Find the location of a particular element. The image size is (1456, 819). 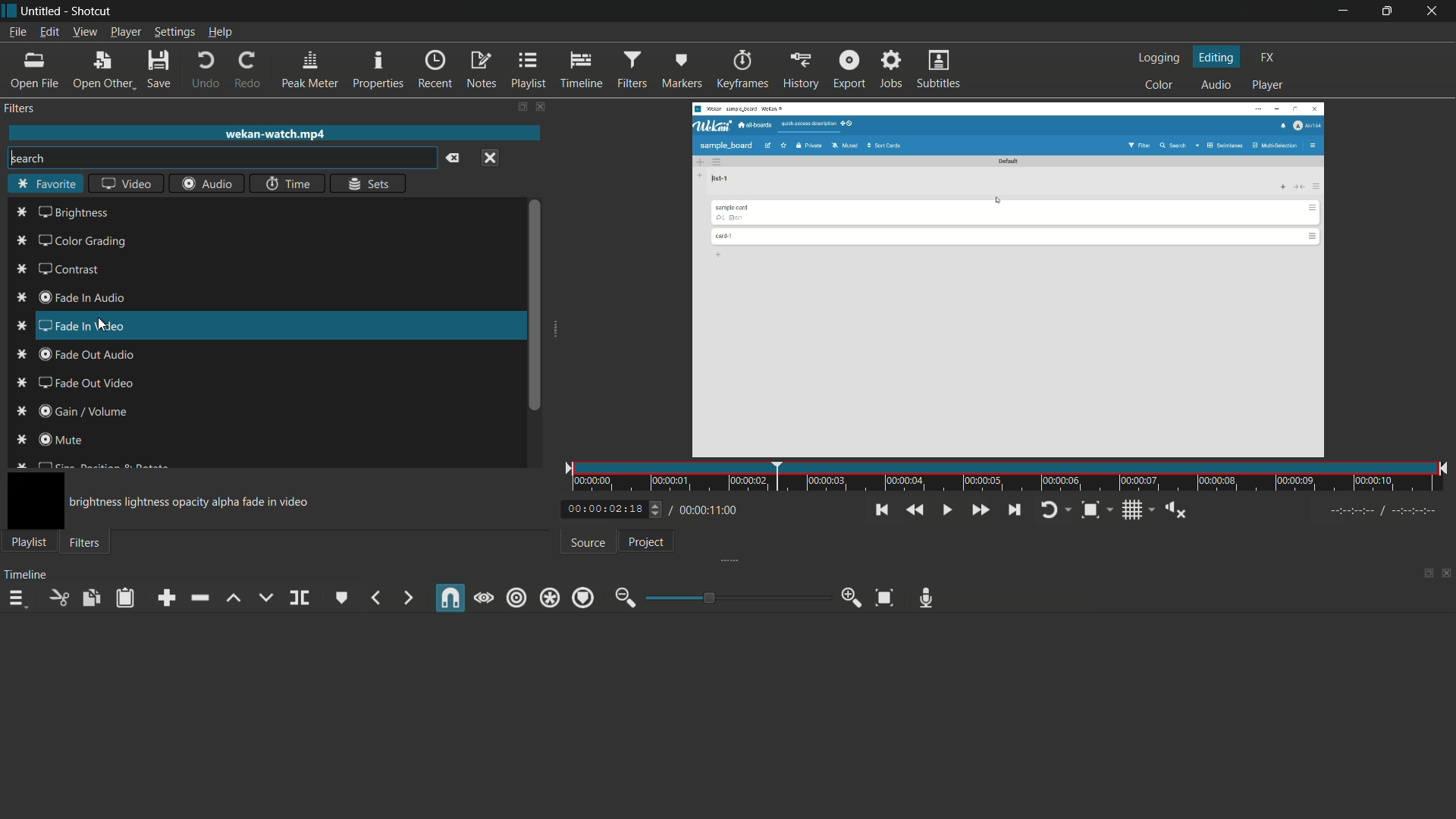

split at playhead is located at coordinates (300, 598).